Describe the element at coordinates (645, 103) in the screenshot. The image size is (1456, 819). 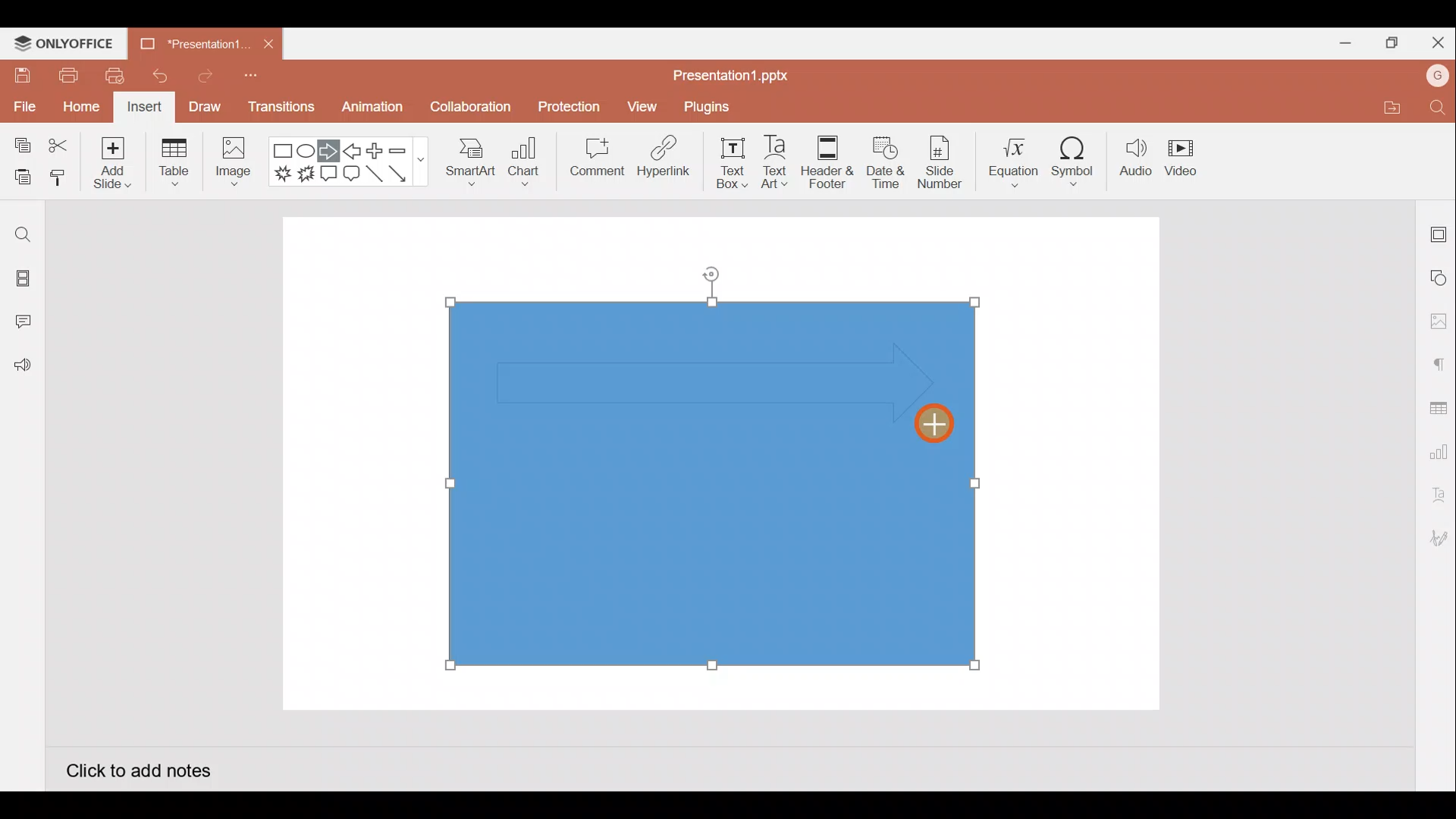
I see `View` at that location.